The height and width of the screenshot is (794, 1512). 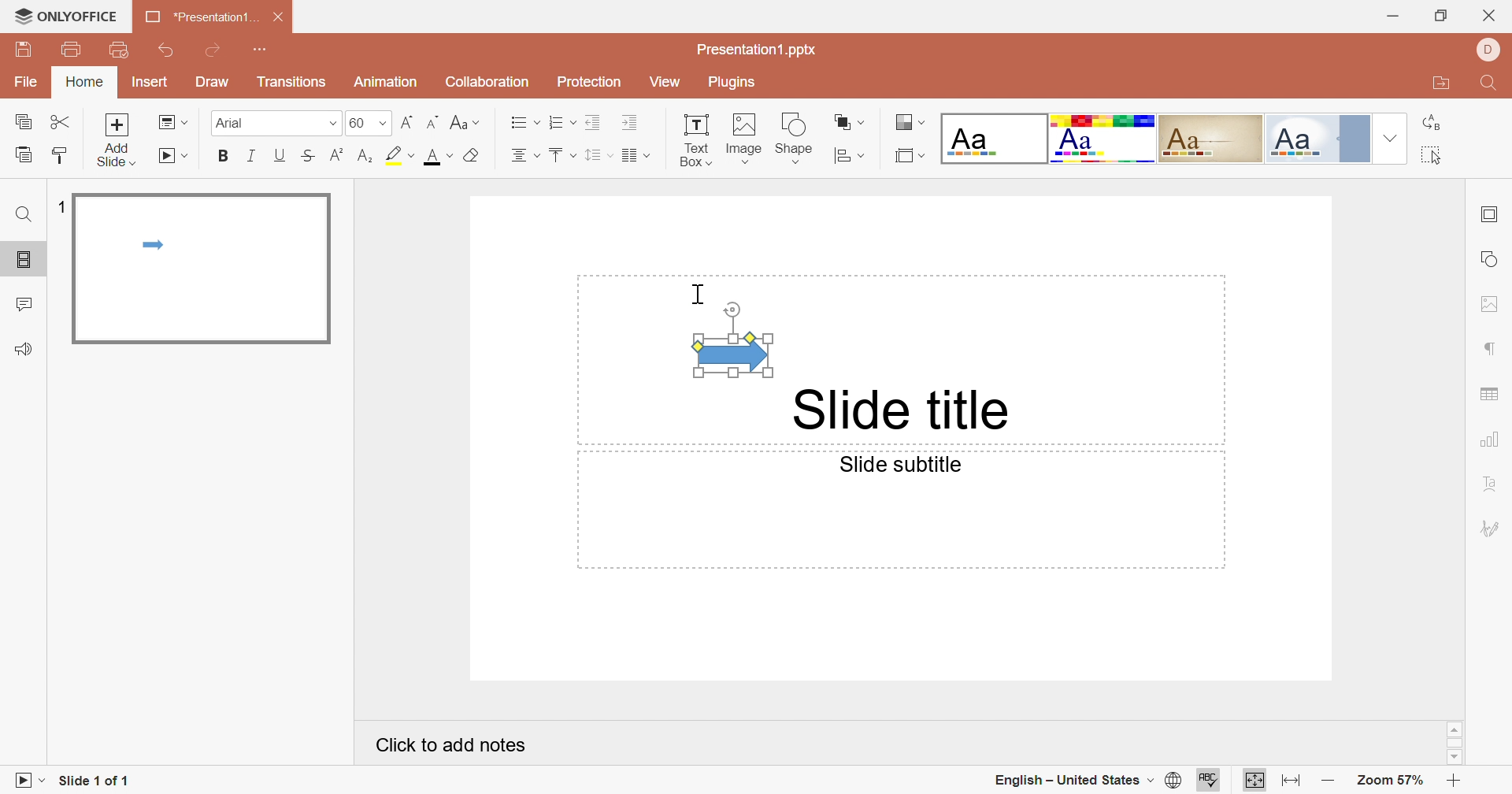 What do you see at coordinates (1395, 17) in the screenshot?
I see `Minimize` at bounding box center [1395, 17].